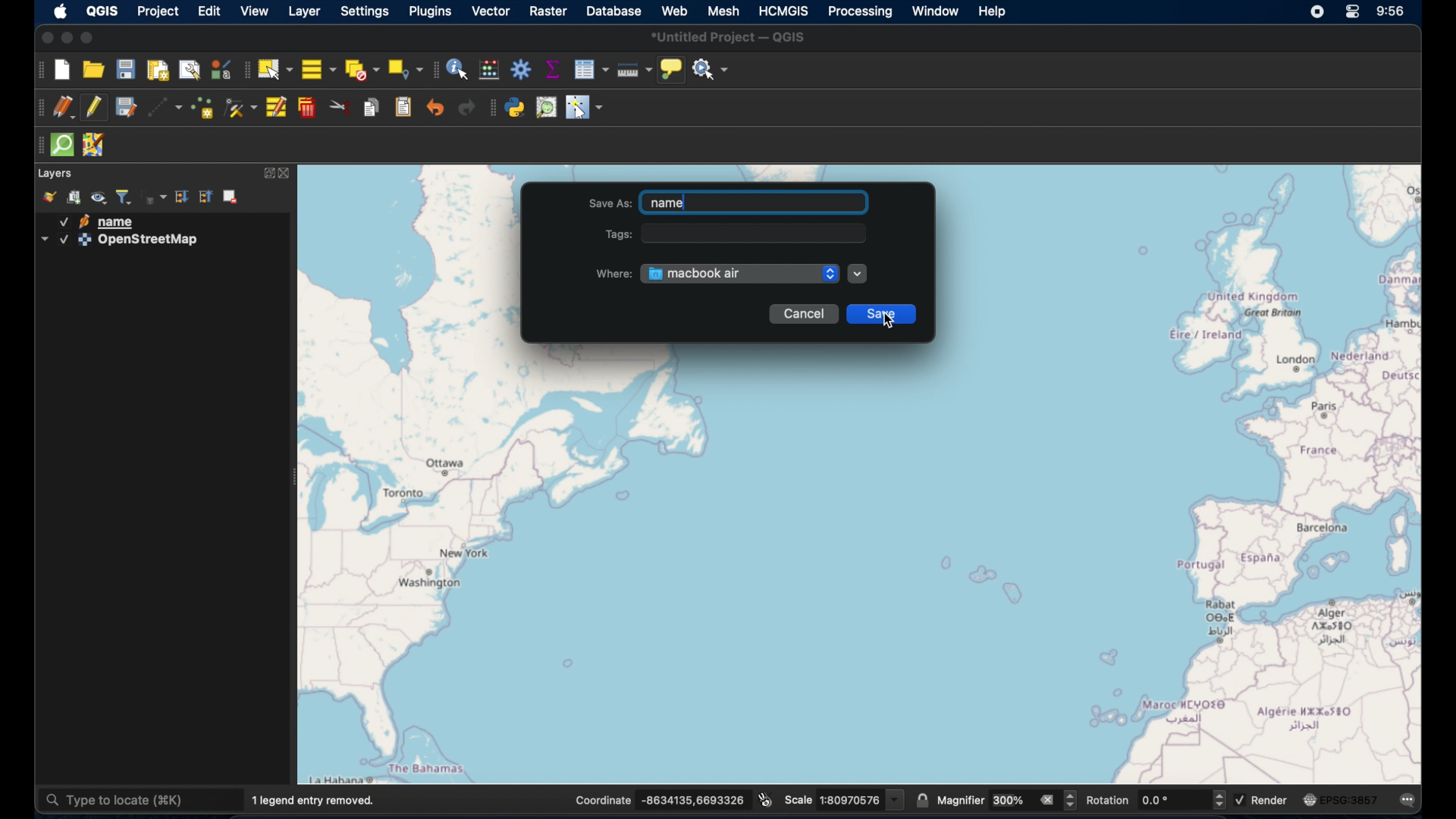 Image resolution: width=1456 pixels, height=819 pixels. Describe the element at coordinates (317, 800) in the screenshot. I see `1 legend entry removed` at that location.